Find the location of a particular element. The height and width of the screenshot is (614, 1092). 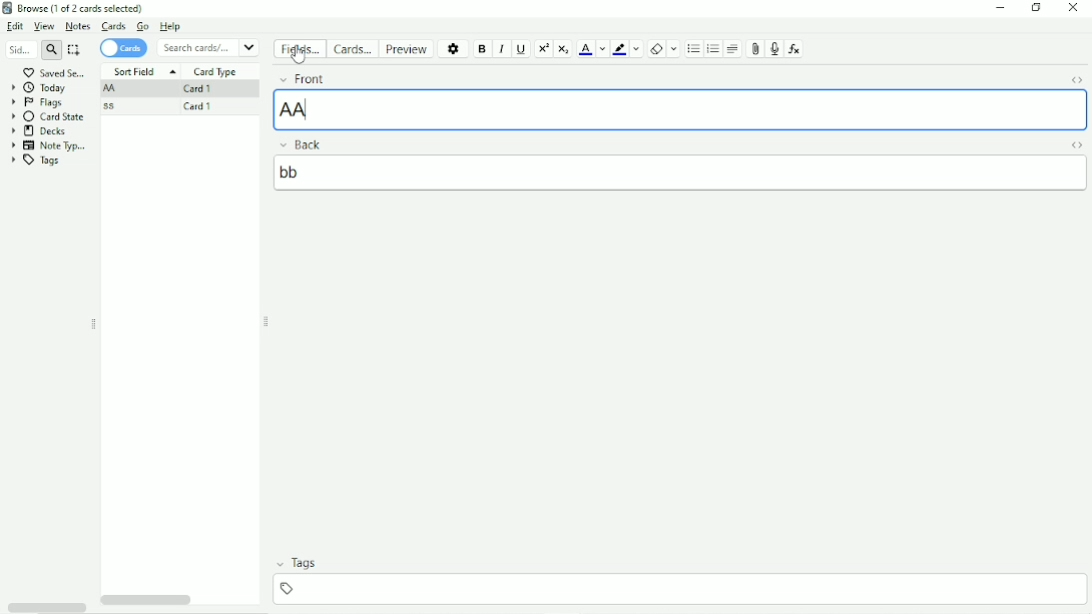

Attach picture/audio/video is located at coordinates (755, 50).